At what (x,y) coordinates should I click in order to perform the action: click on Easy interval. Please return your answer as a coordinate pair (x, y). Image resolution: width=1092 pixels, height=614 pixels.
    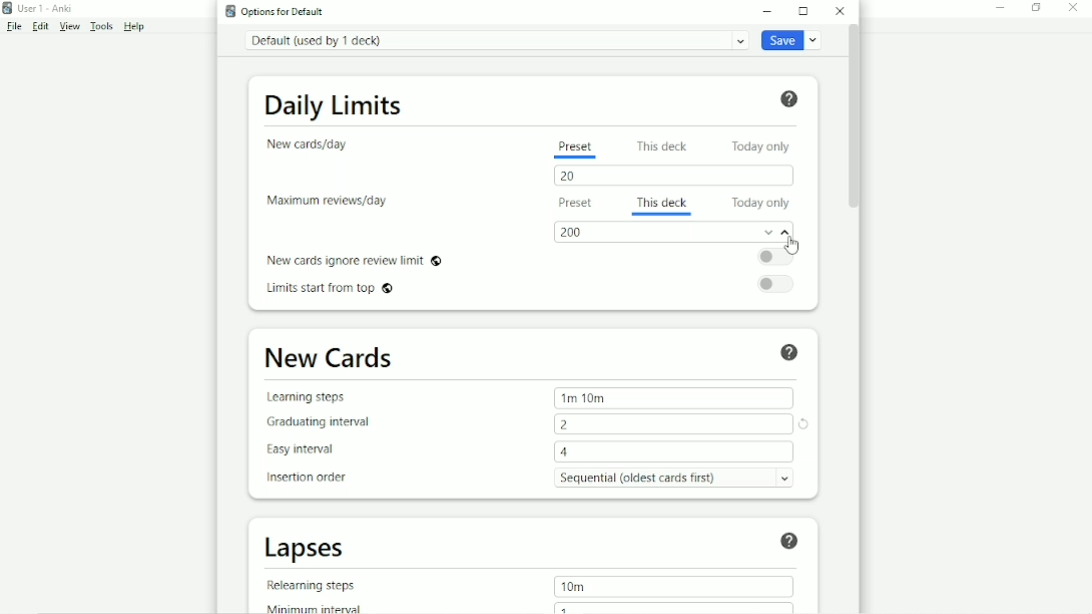
    Looking at the image, I should click on (308, 450).